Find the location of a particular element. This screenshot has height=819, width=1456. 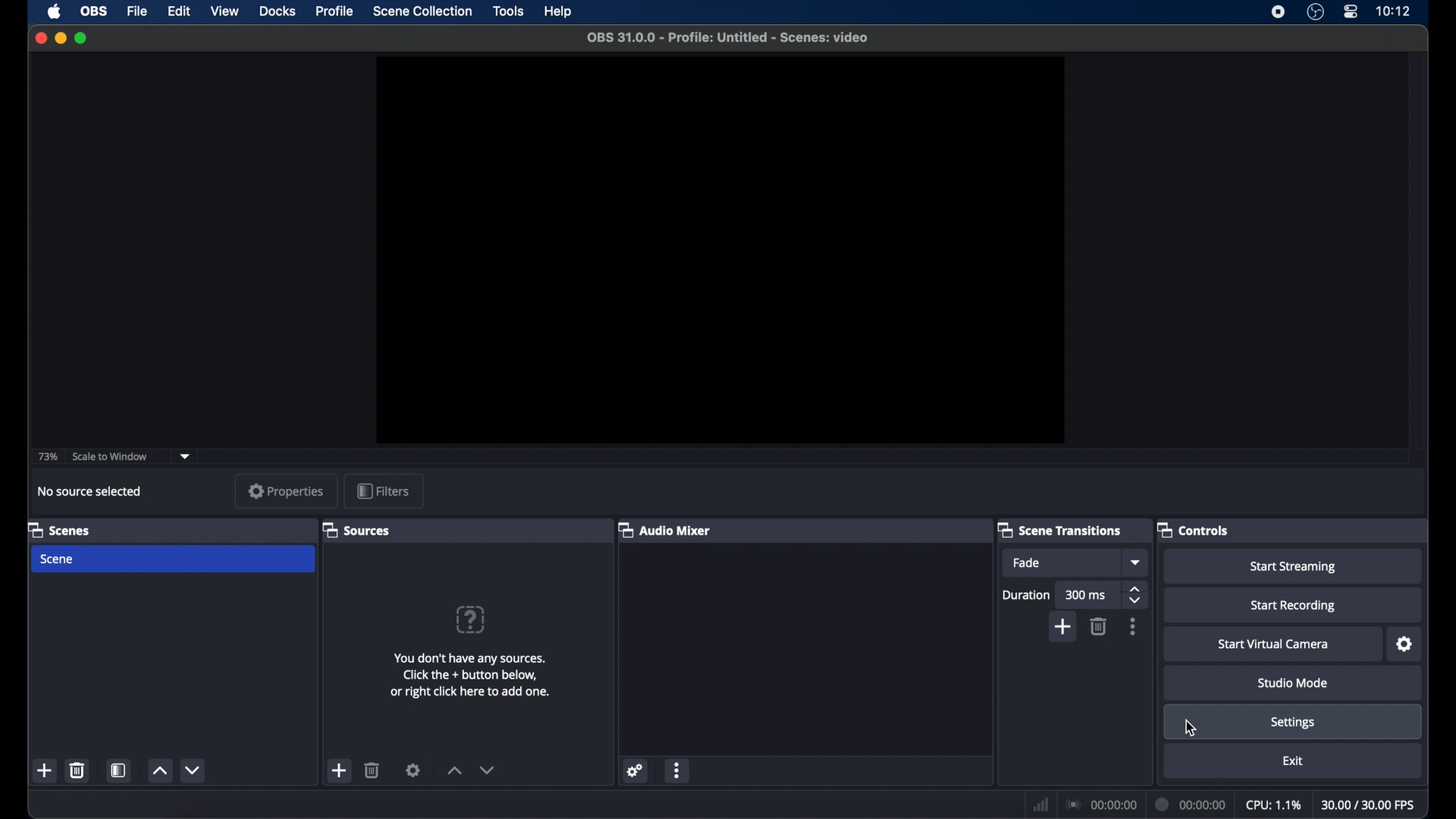

cpu is located at coordinates (1274, 805).